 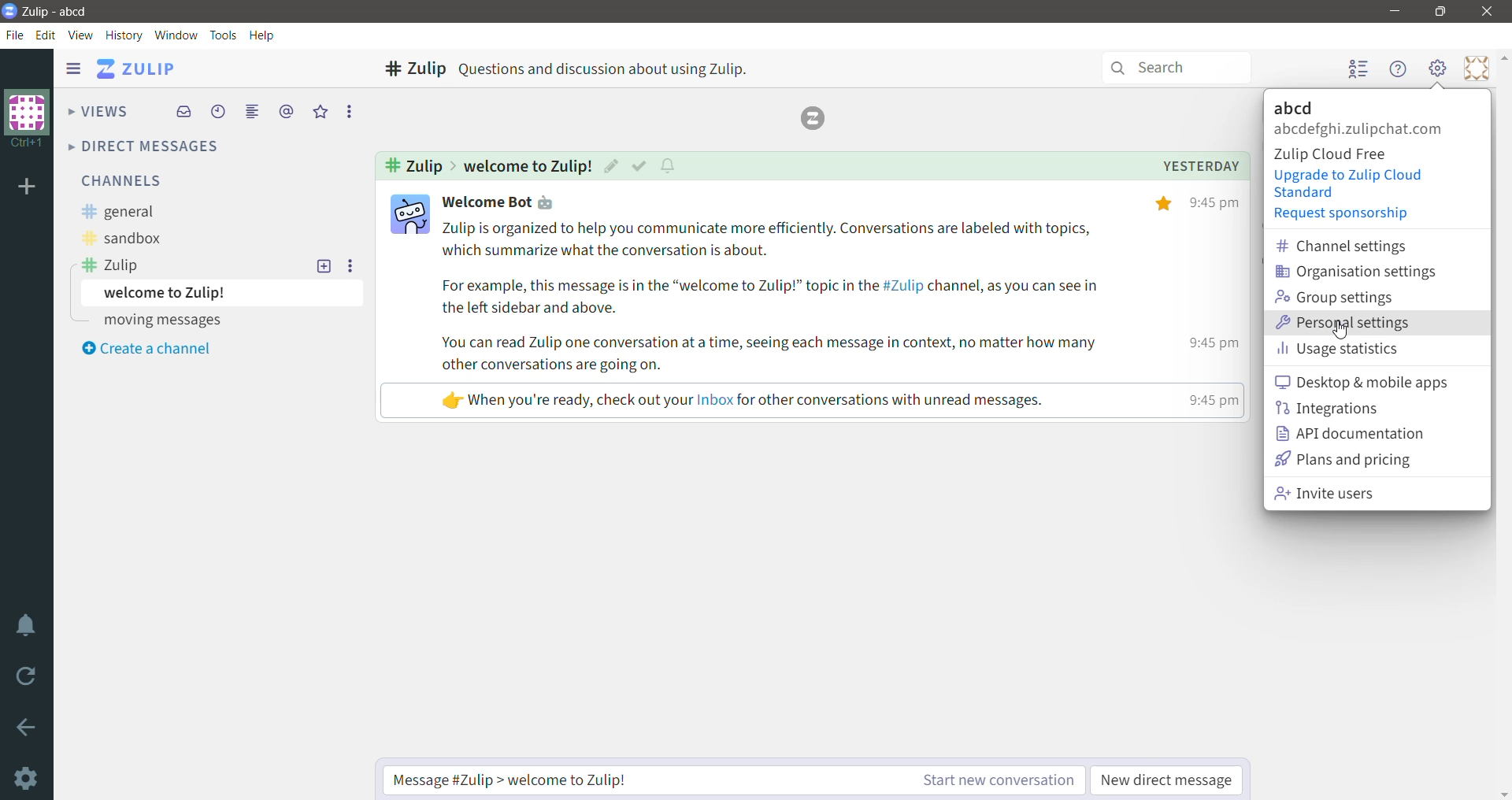 I want to click on Application Name - Organization Name, so click(x=61, y=12).